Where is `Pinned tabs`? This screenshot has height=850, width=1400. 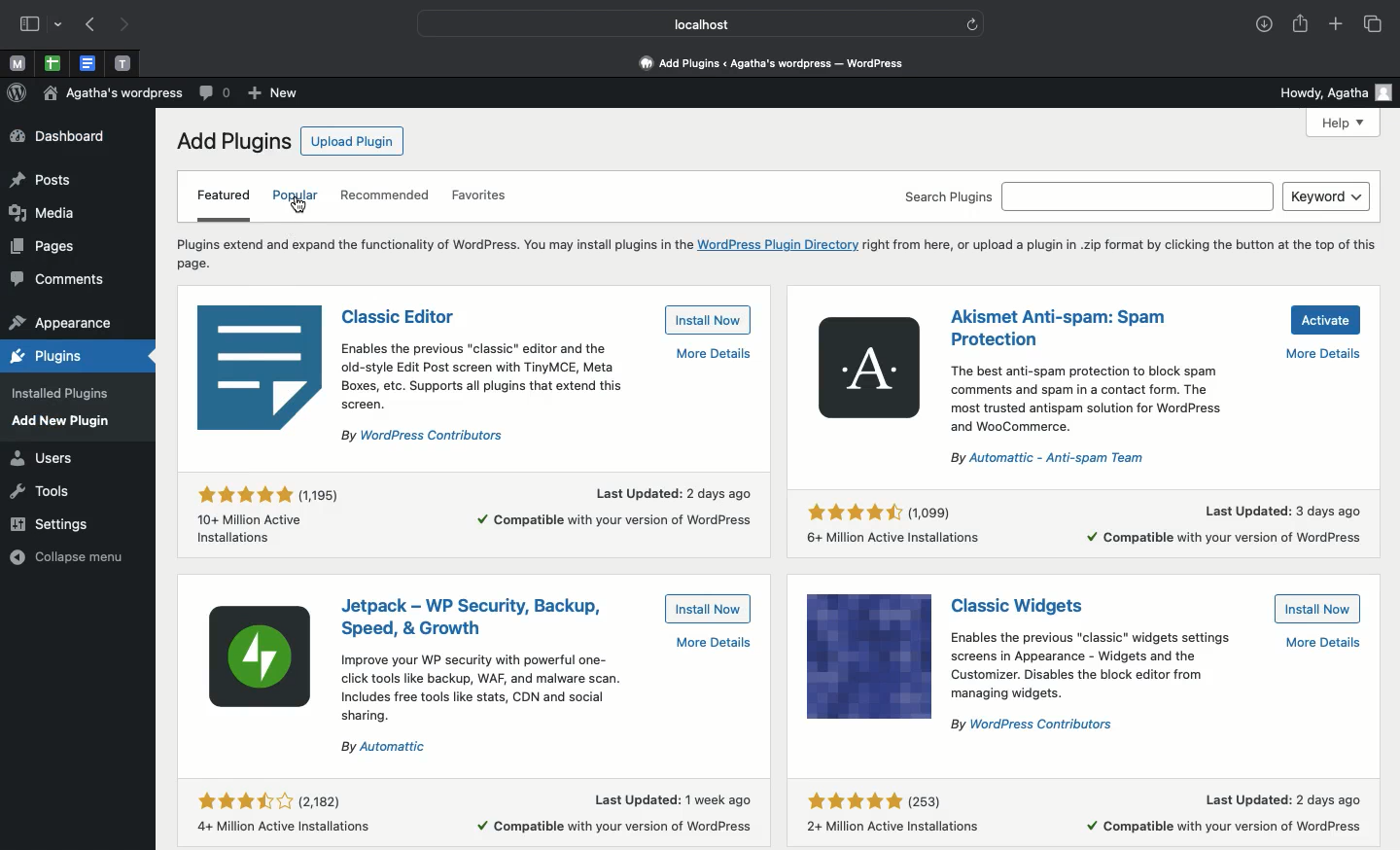
Pinned tabs is located at coordinates (89, 64).